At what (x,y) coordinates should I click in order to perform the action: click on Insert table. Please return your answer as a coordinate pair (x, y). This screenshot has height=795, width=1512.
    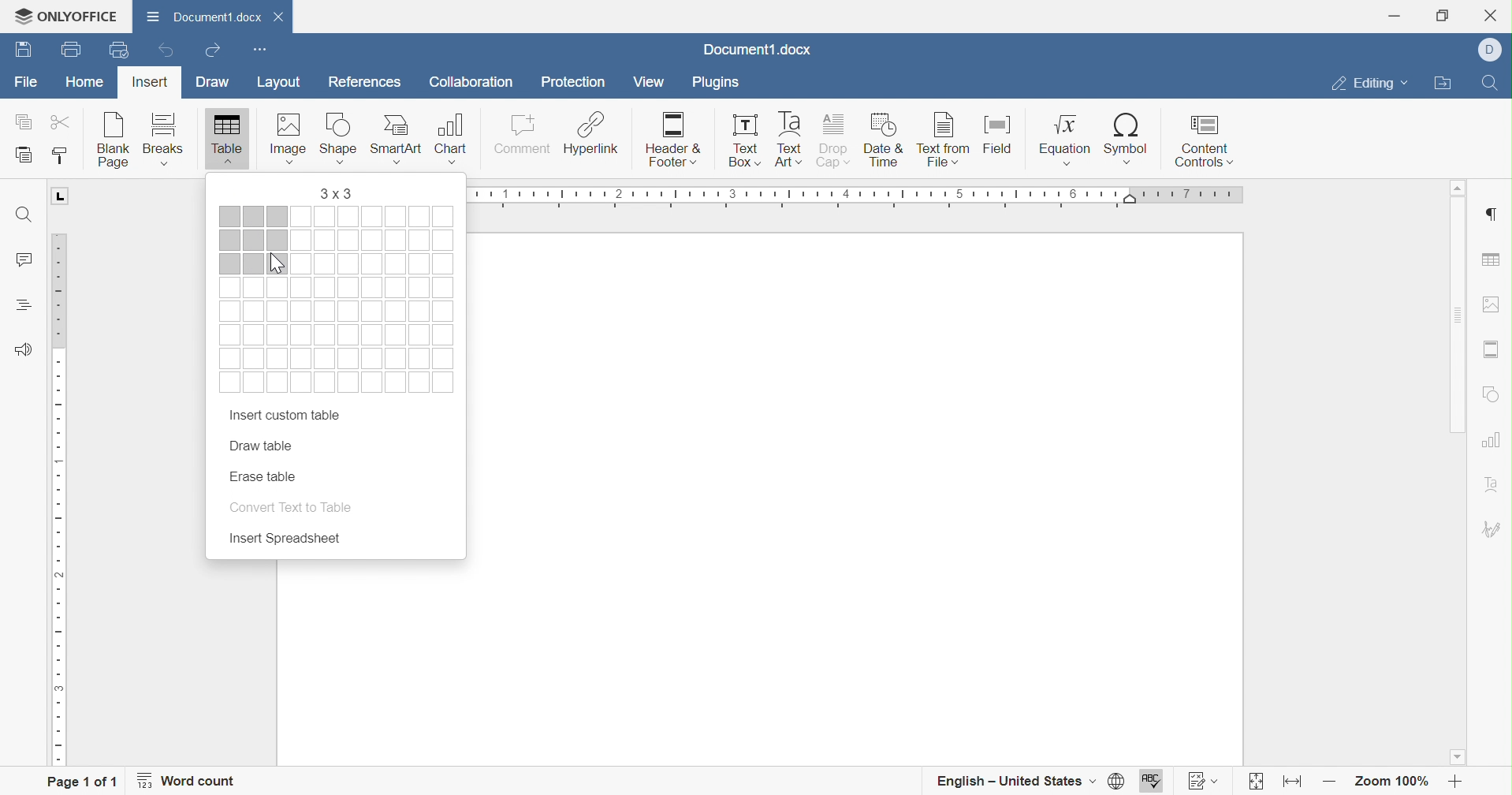
    Looking at the image, I should click on (229, 140).